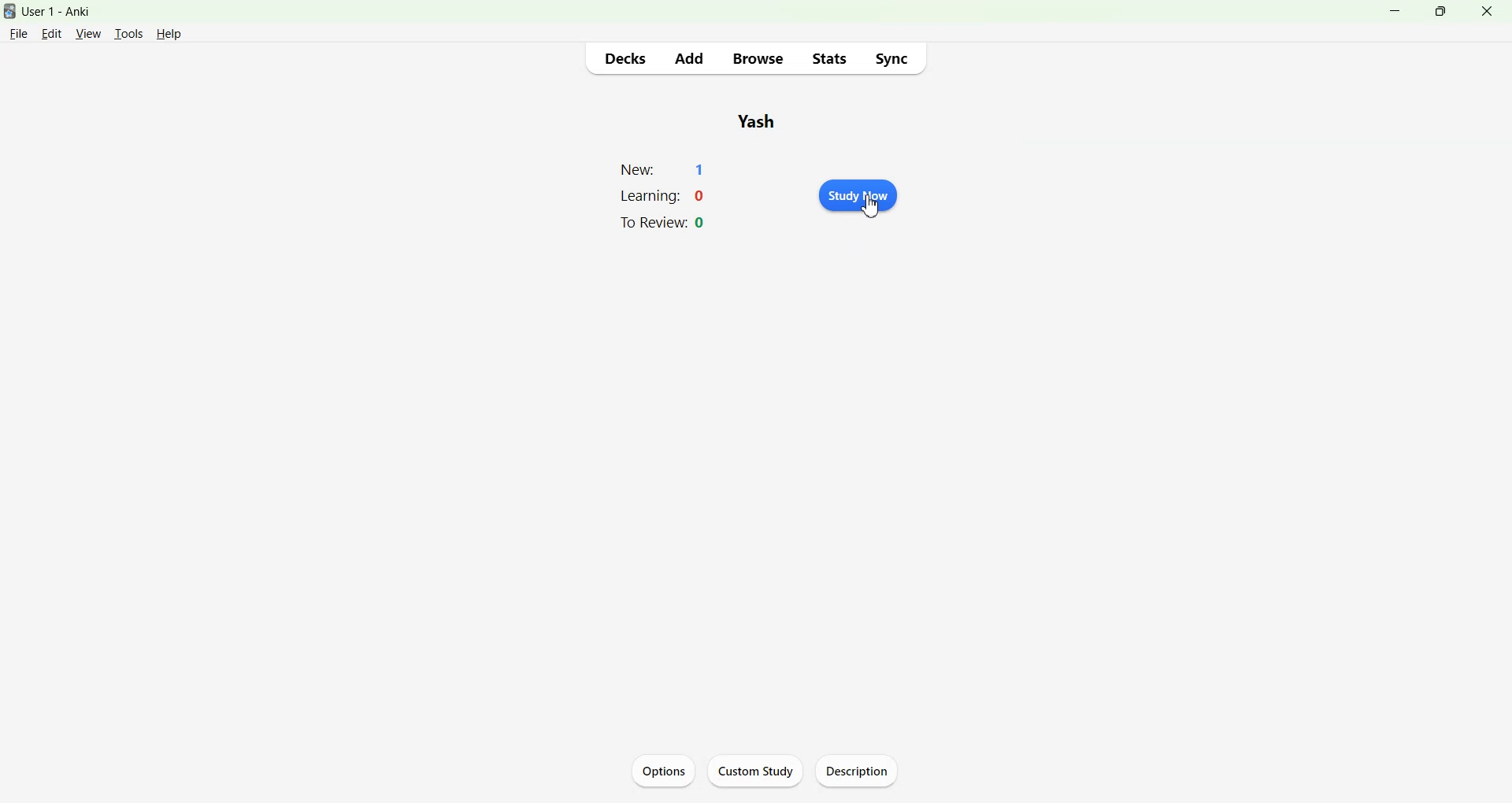 The image size is (1512, 803). Describe the element at coordinates (891, 58) in the screenshot. I see `Sync` at that location.